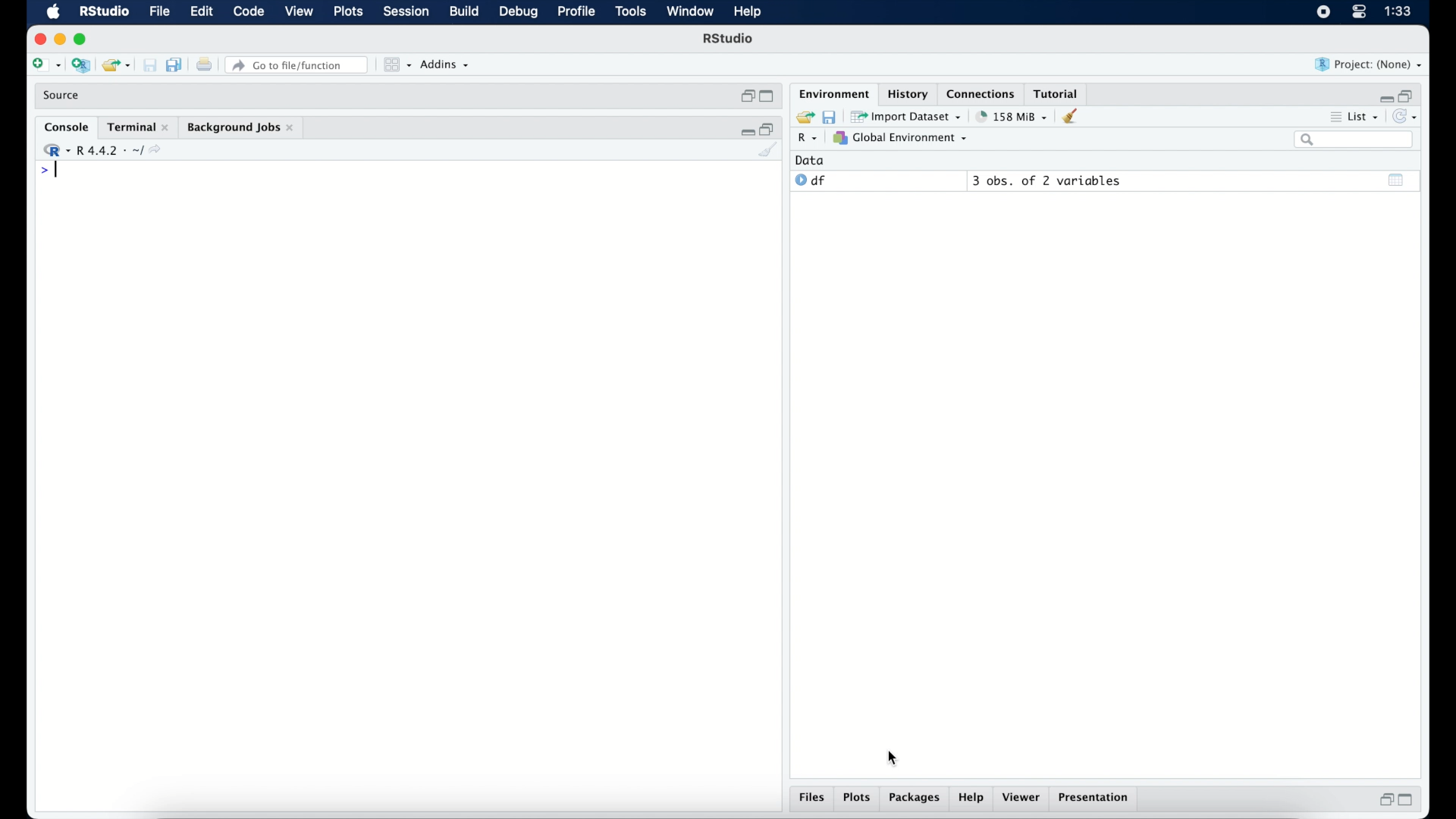 This screenshot has height=819, width=1456. Describe the element at coordinates (1370, 65) in the screenshot. I see `project (none)` at that location.